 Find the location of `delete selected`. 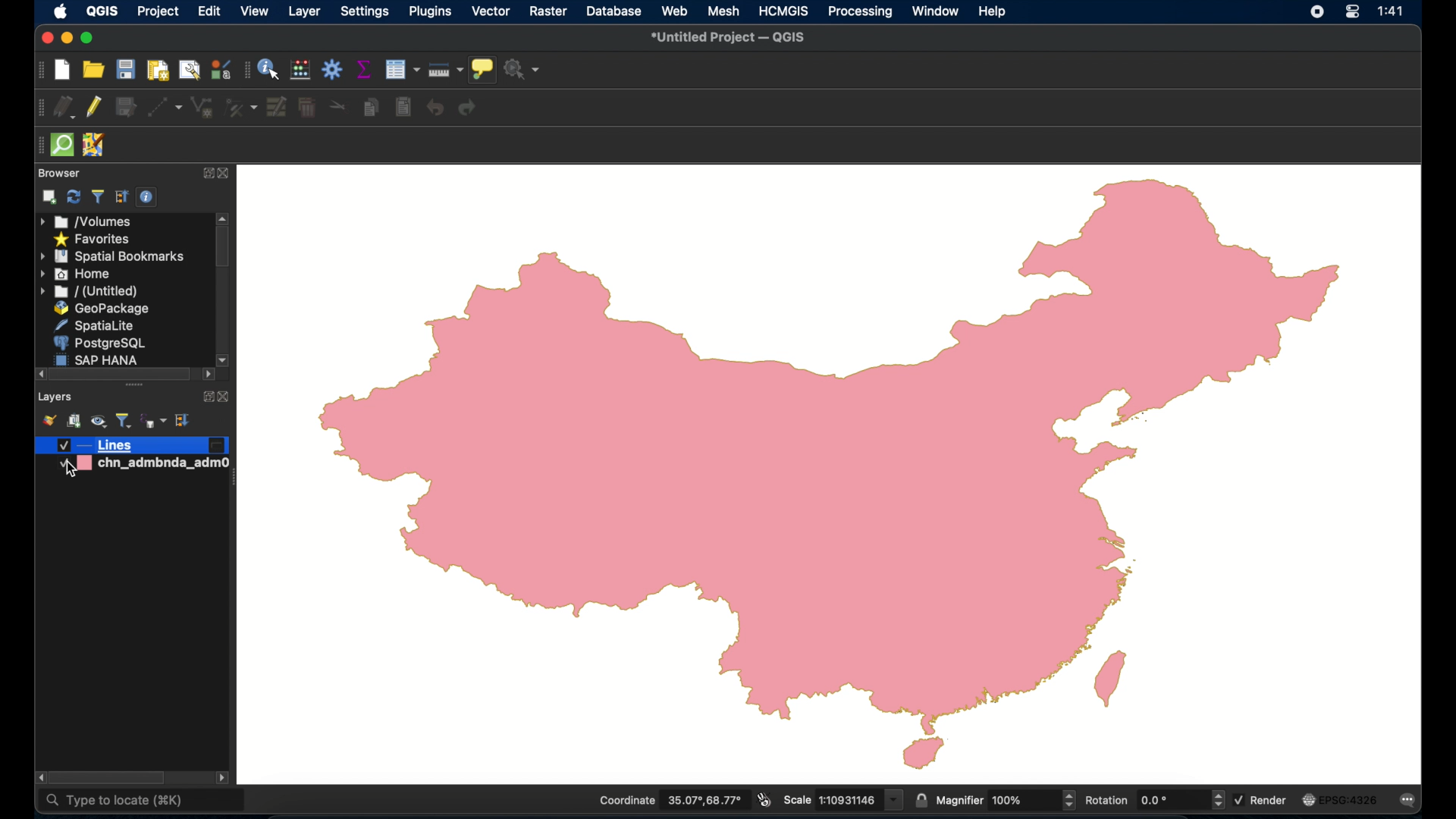

delete selected is located at coordinates (306, 108).